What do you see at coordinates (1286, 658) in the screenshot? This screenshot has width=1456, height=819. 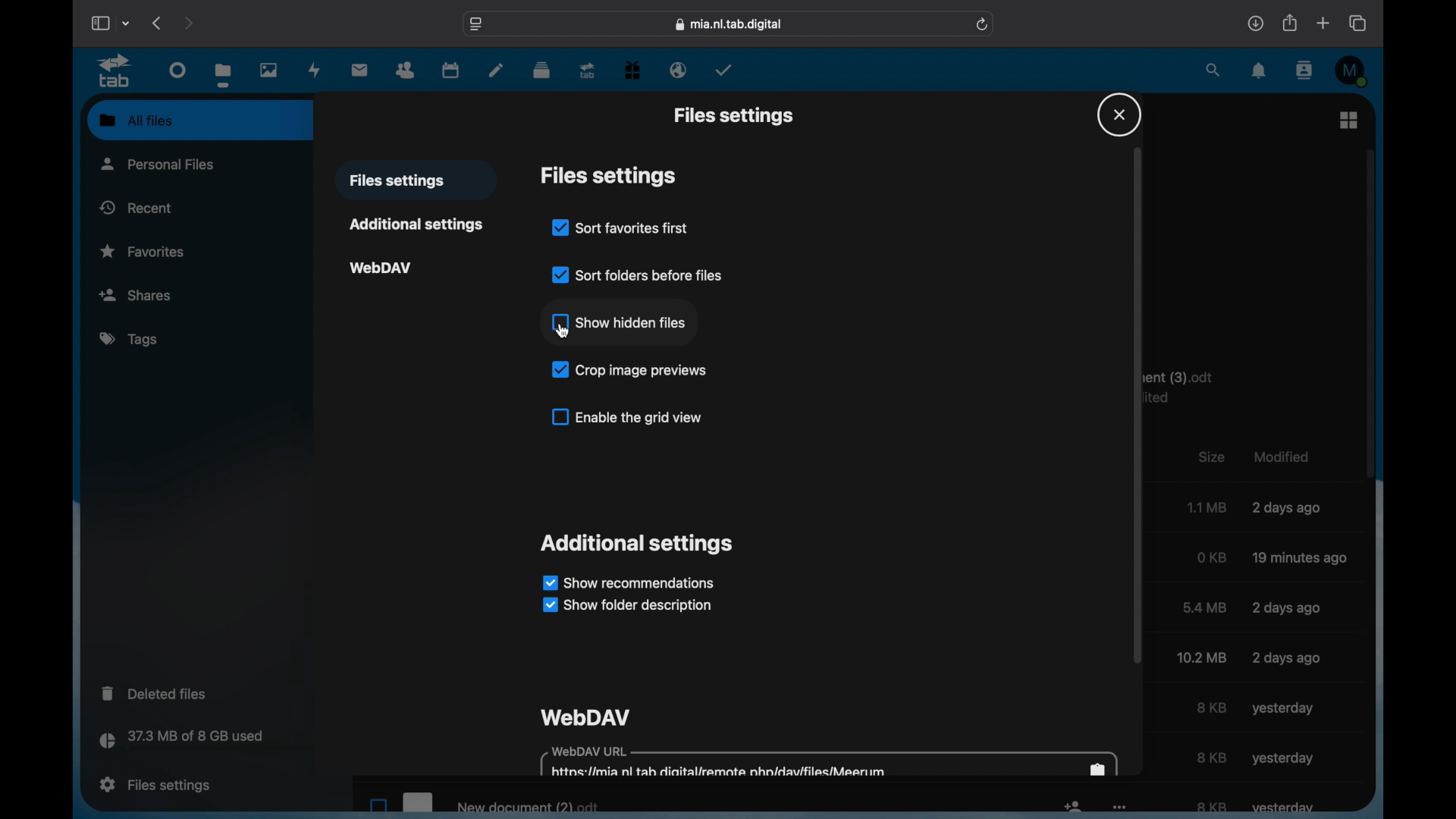 I see `modified` at bounding box center [1286, 658].